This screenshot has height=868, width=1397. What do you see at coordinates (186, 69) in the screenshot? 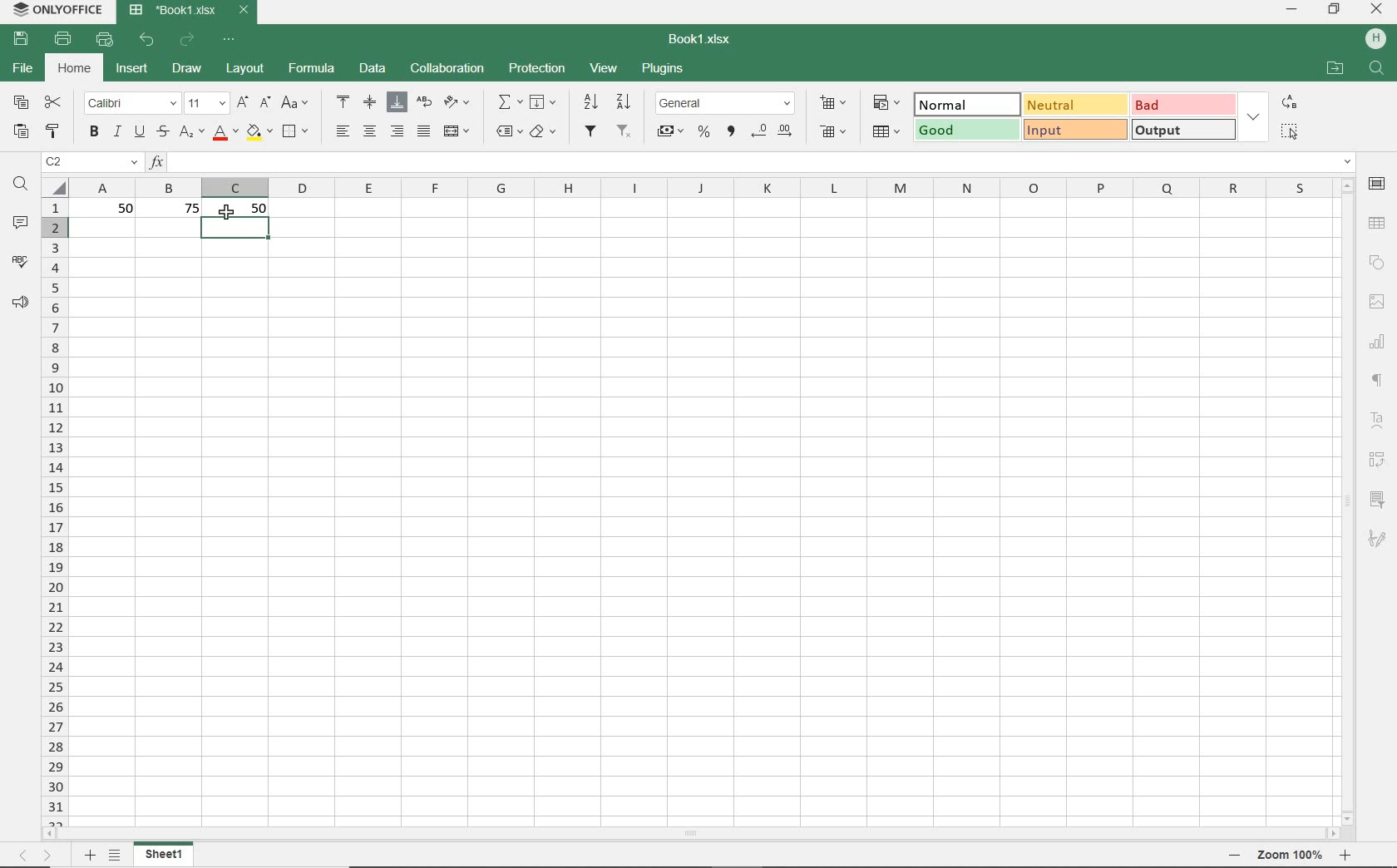
I see `draw` at bounding box center [186, 69].